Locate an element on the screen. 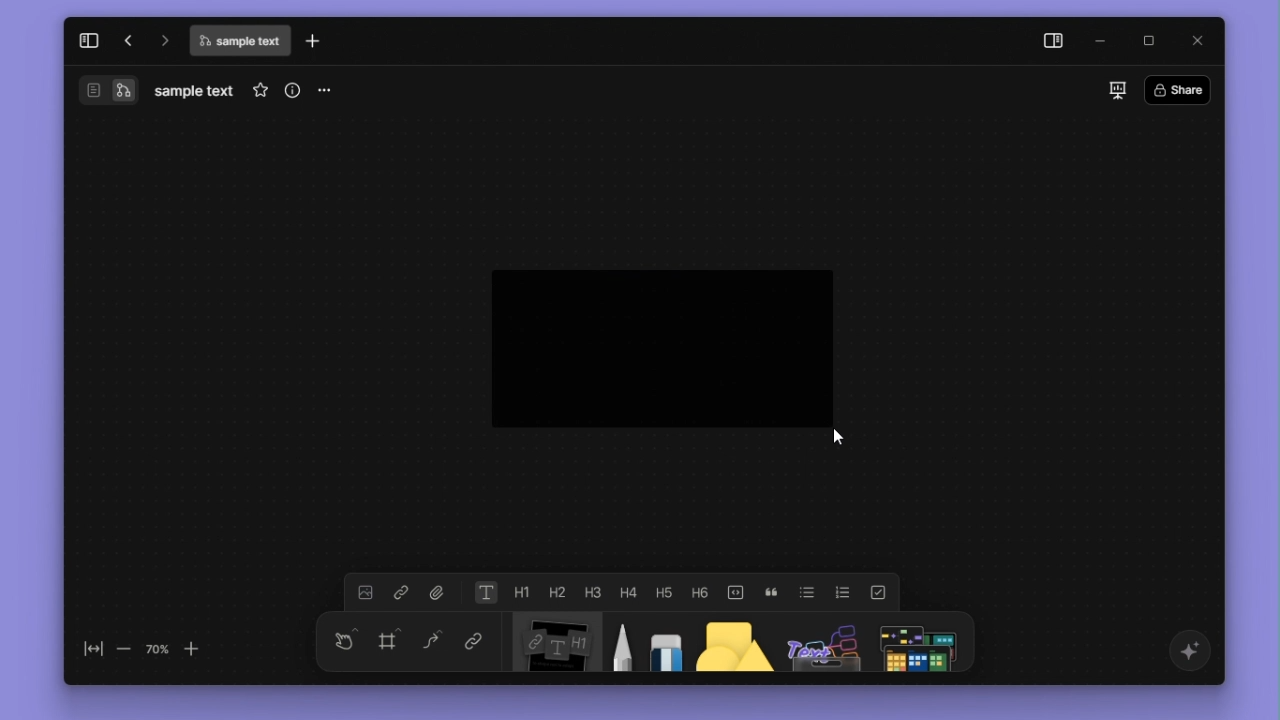 Image resolution: width=1280 pixels, height=720 pixels. affine ai is located at coordinates (1187, 651).